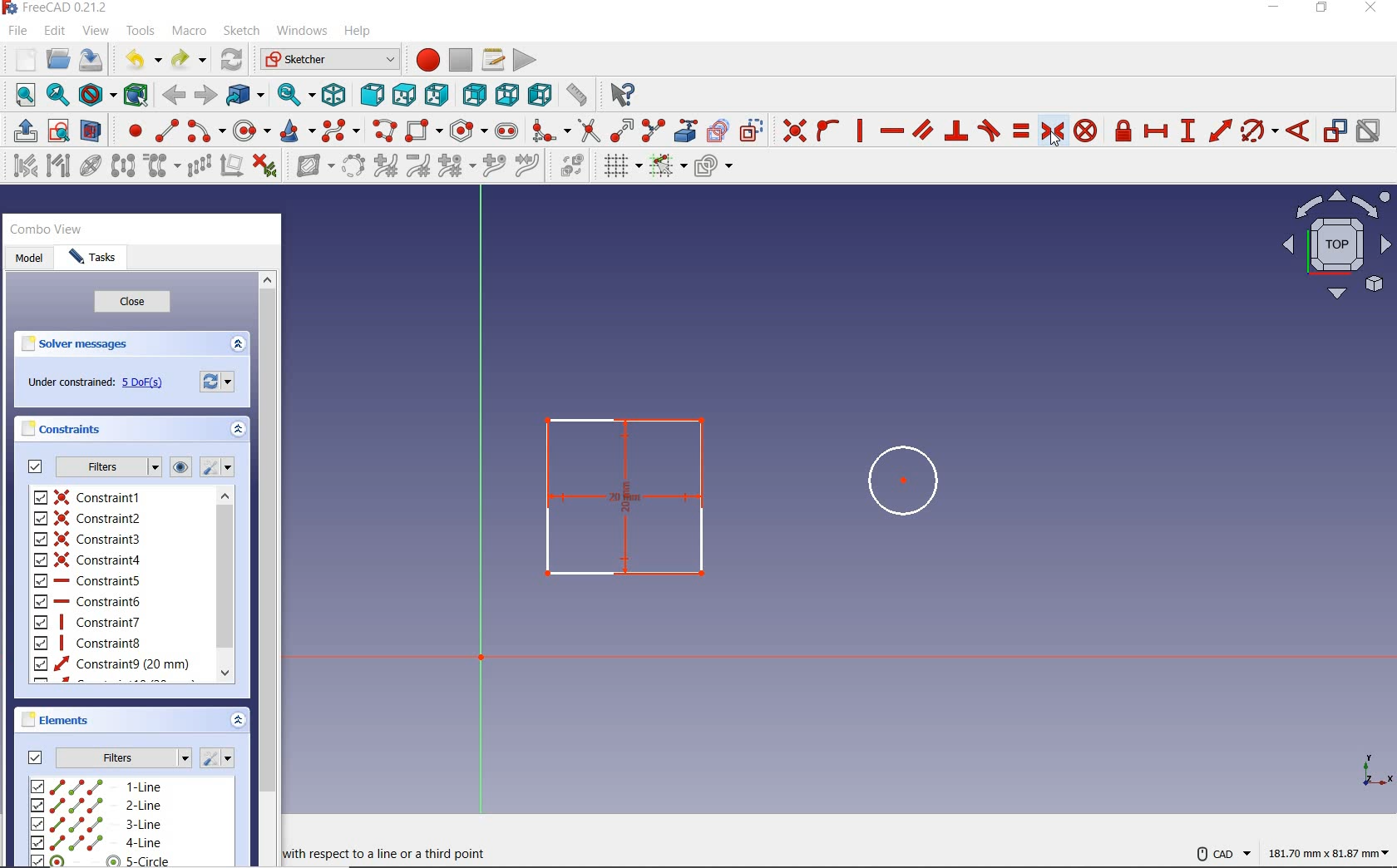  I want to click on Filter chckebox, so click(37, 760).